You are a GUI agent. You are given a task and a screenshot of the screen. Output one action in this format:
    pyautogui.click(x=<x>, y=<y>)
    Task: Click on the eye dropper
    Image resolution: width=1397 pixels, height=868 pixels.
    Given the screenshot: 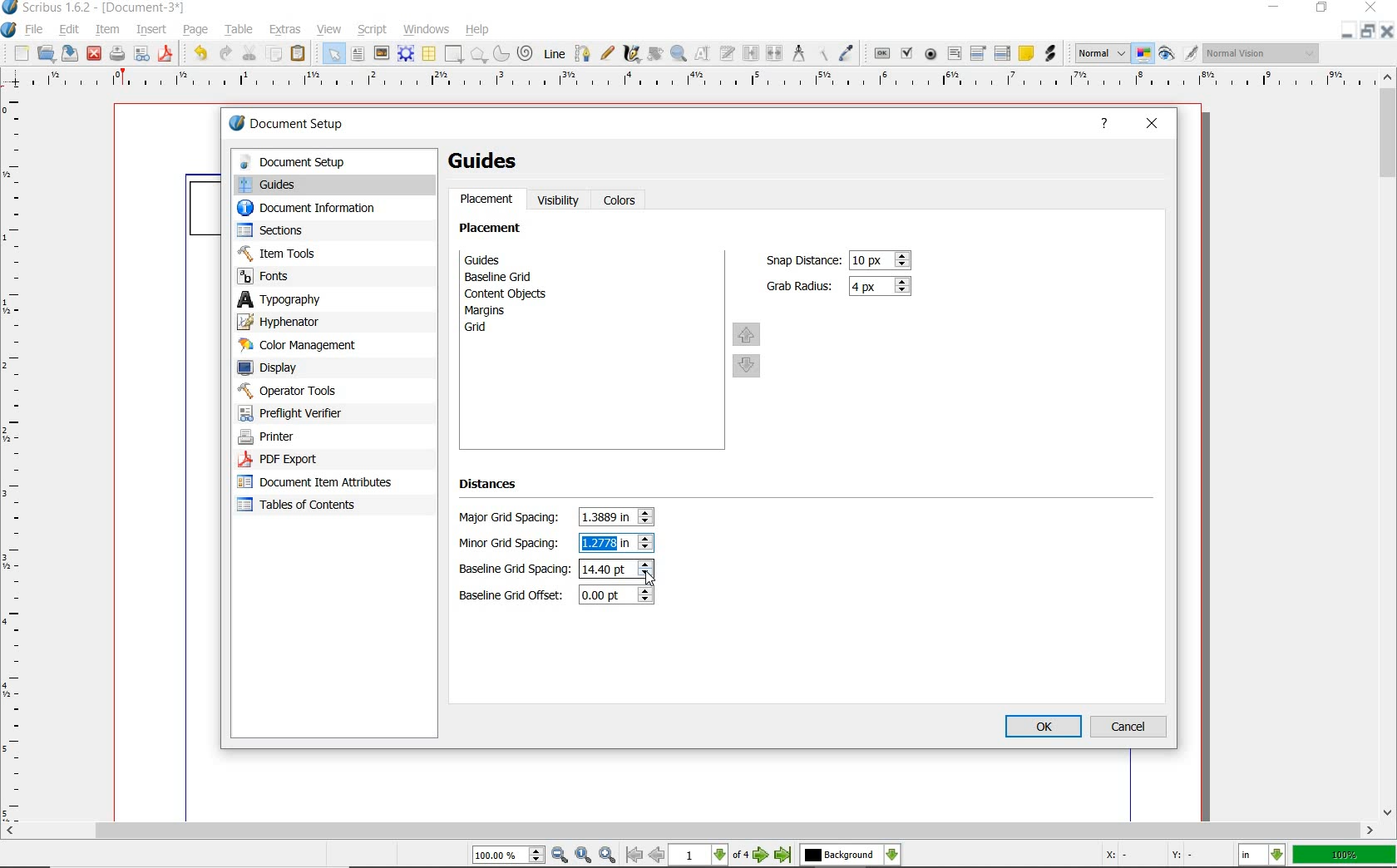 What is the action you would take?
    pyautogui.click(x=848, y=52)
    